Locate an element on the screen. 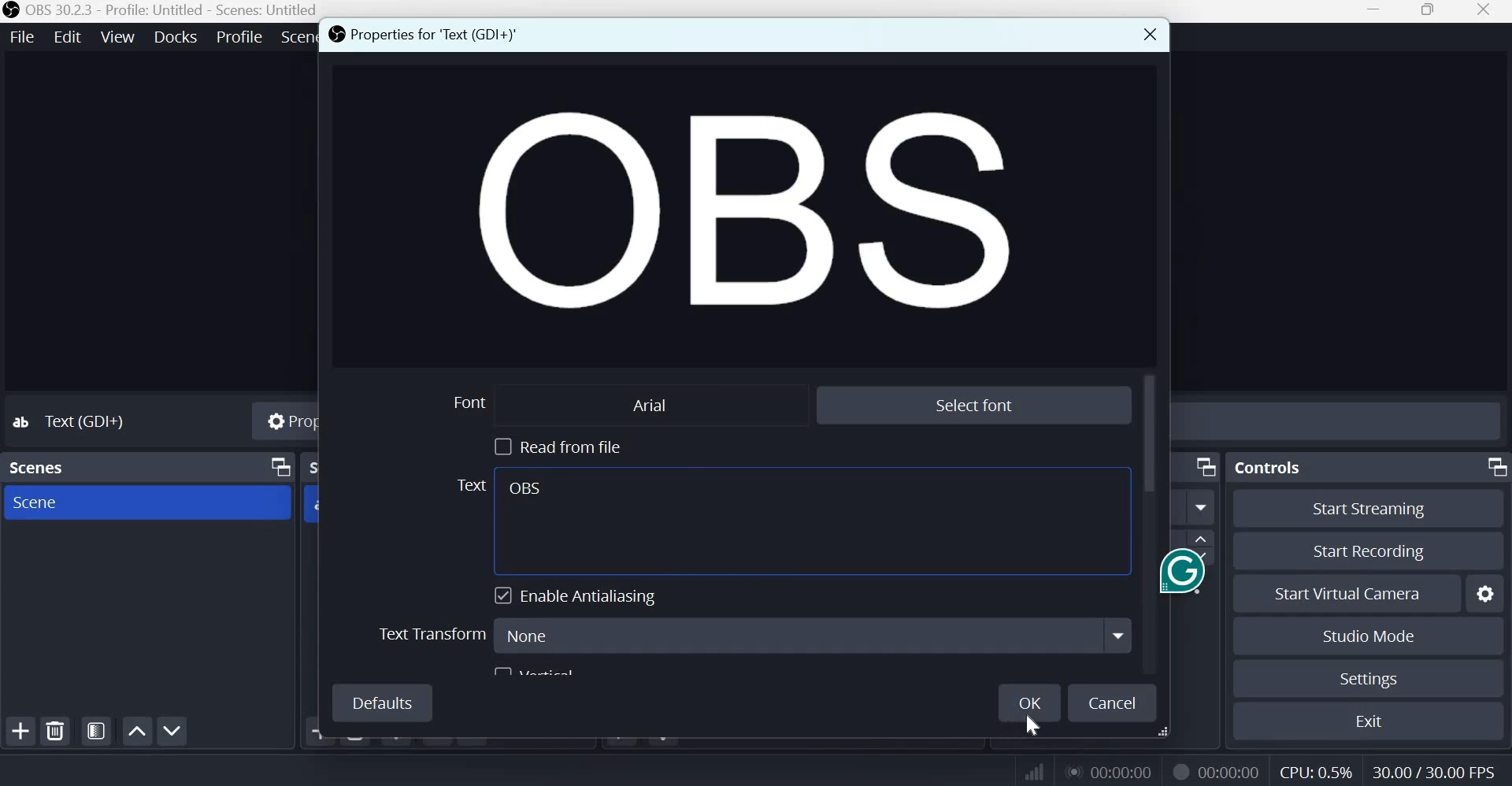 The image size is (1512, 786). Close is located at coordinates (1147, 35).